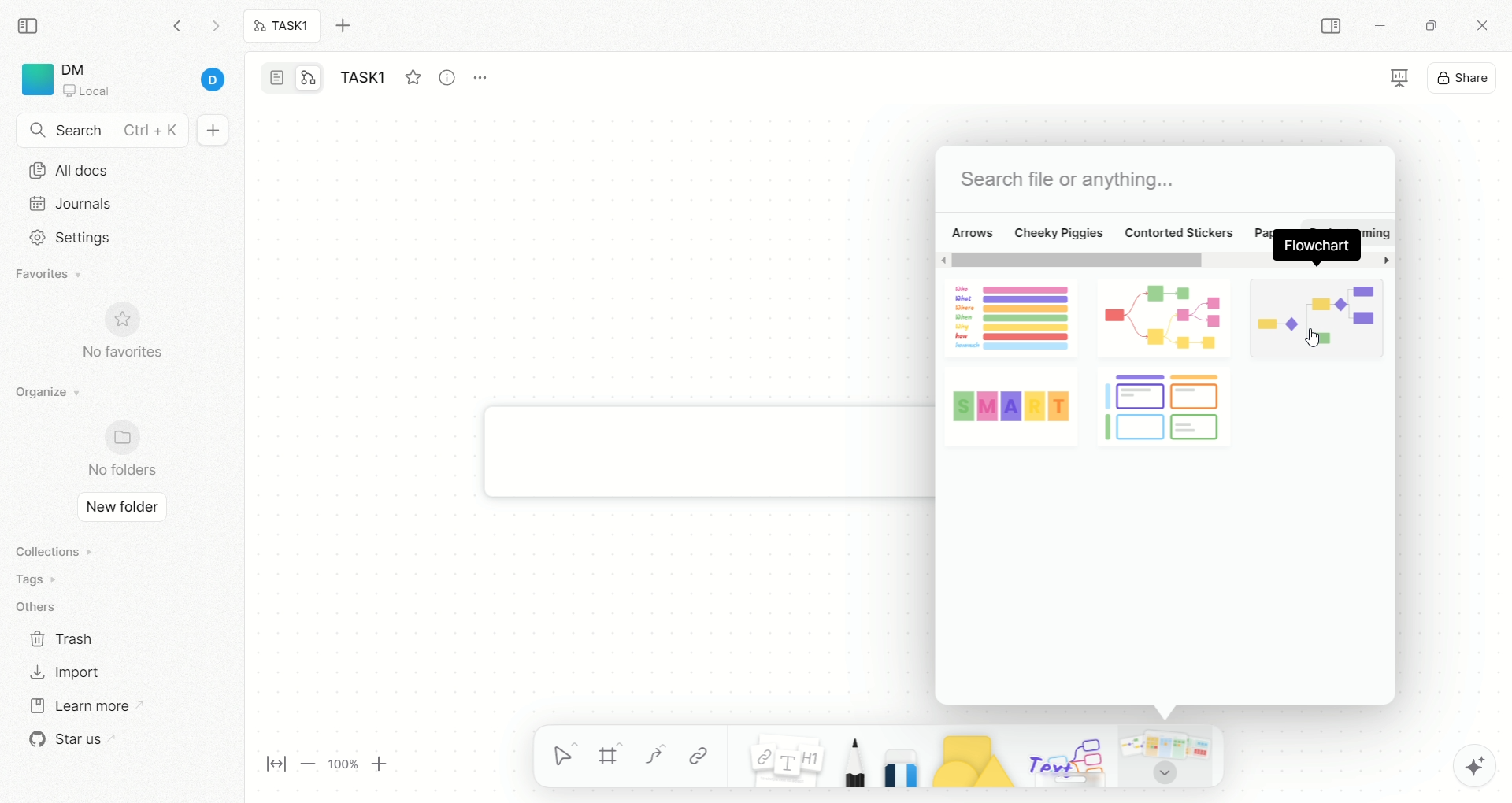 The width and height of the screenshot is (1512, 803). I want to click on page magnification, so click(332, 766).